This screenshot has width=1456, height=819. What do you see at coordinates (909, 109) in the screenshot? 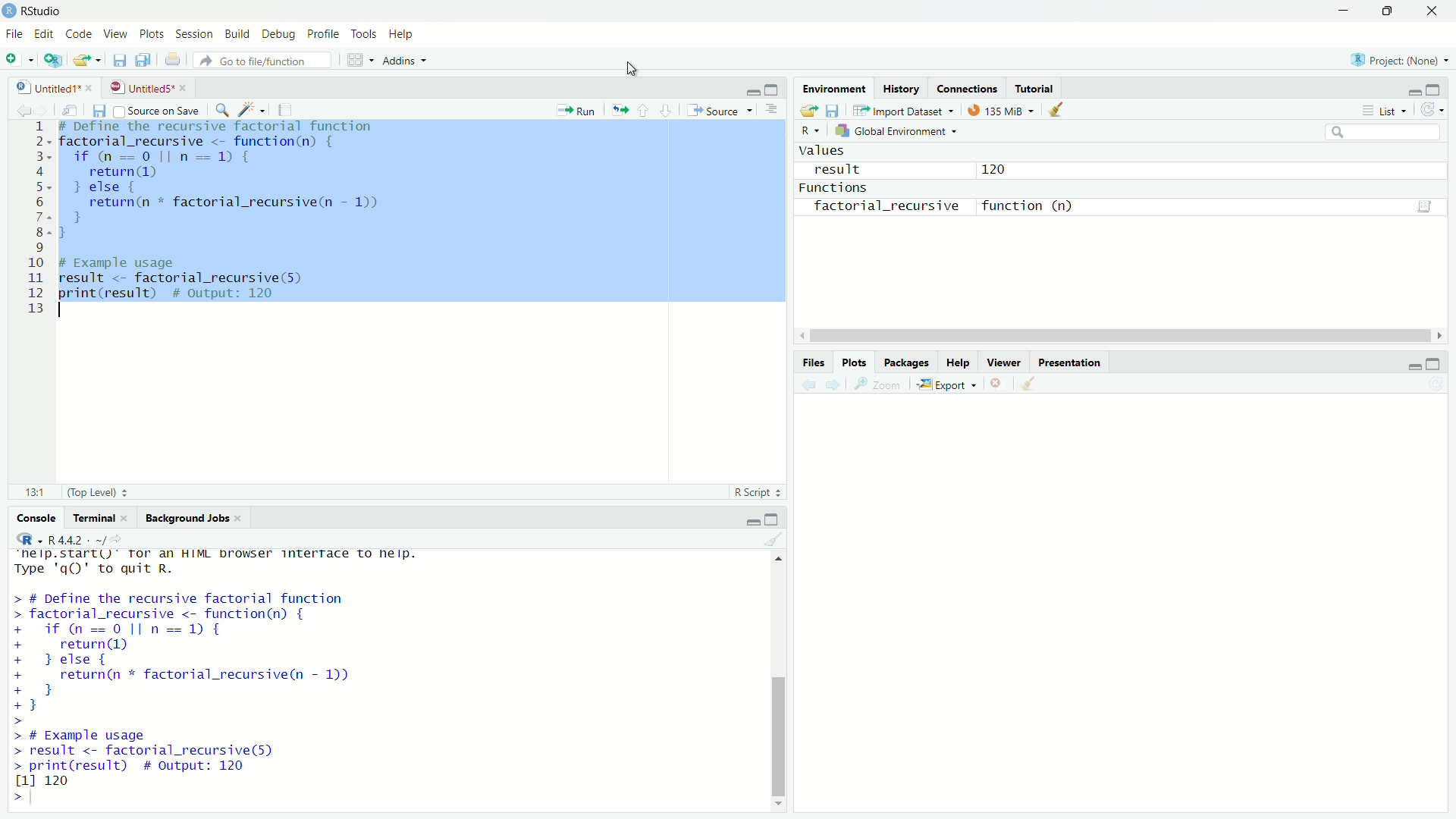
I see `Import Dataset` at bounding box center [909, 109].